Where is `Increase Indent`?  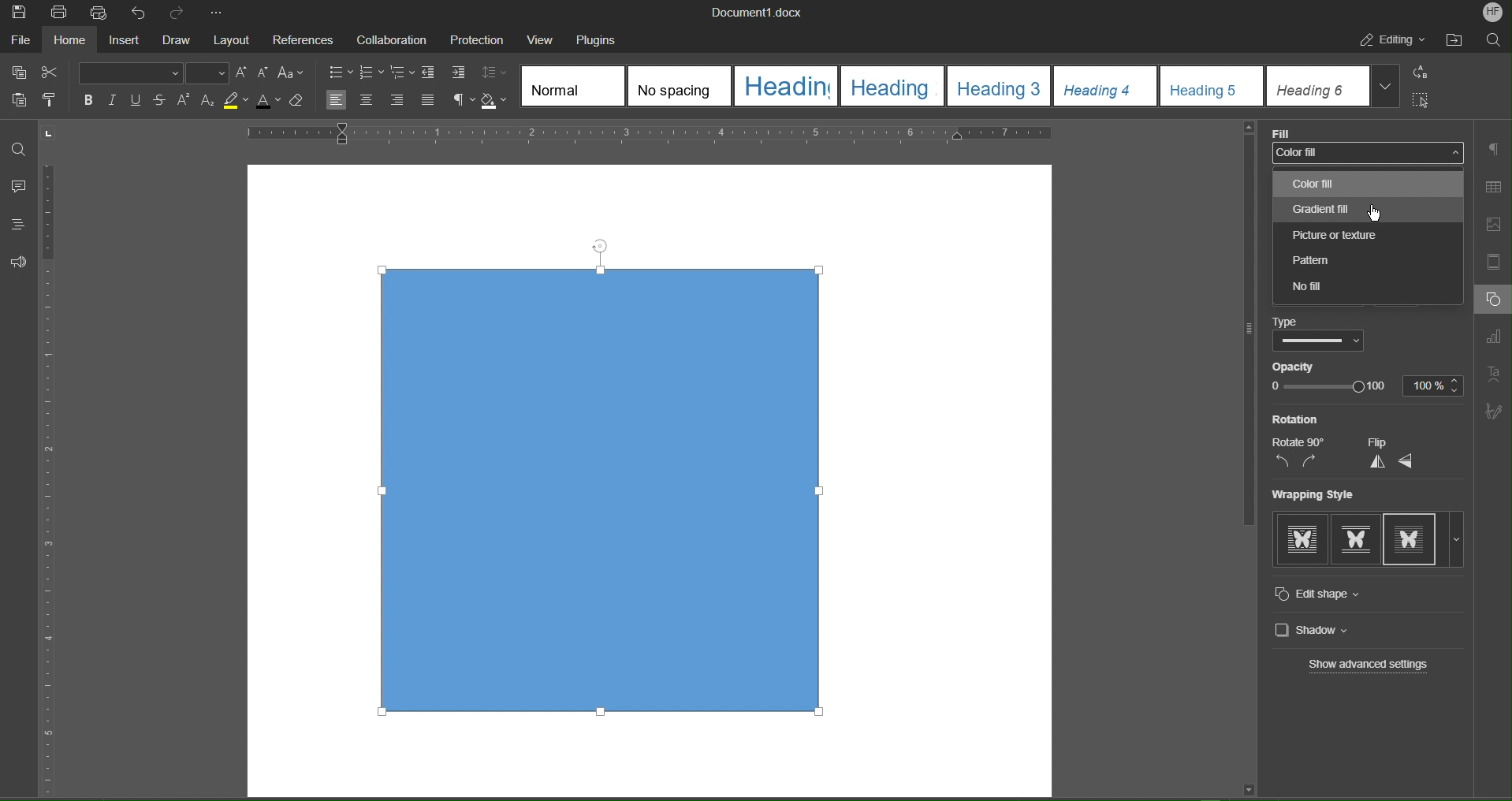
Increase Indent is located at coordinates (460, 74).